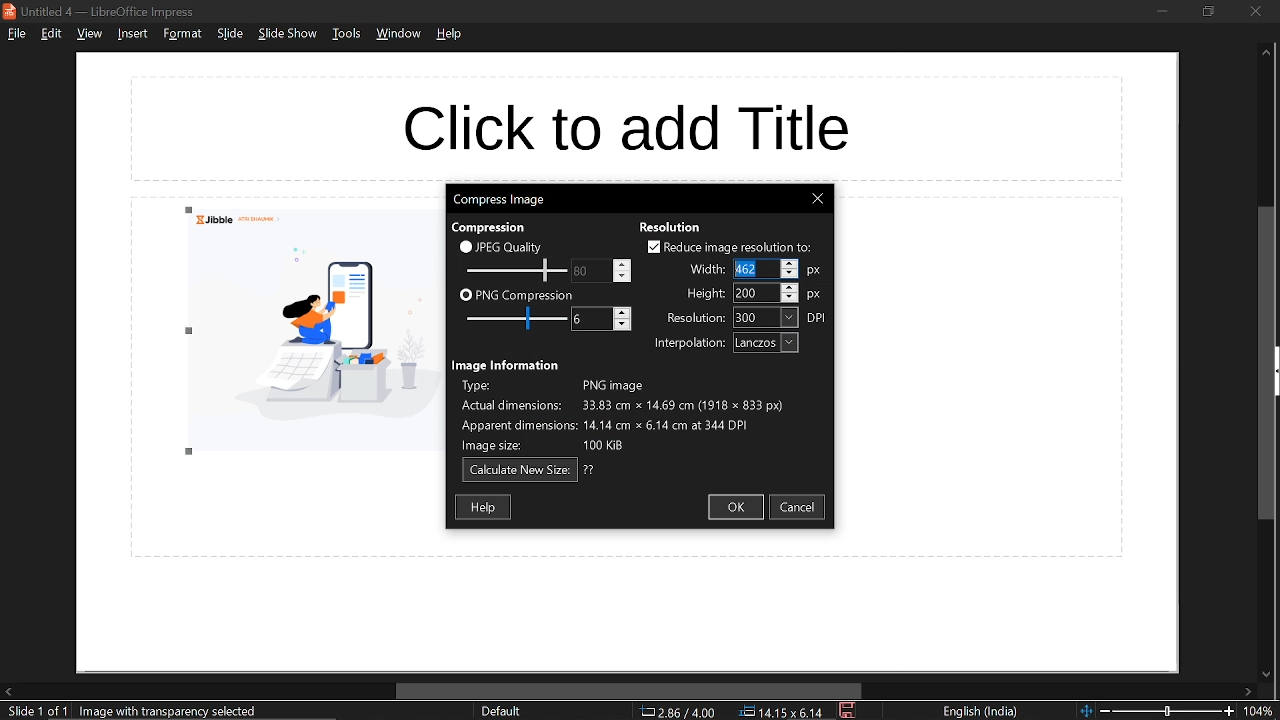 The image size is (1280, 720). I want to click on help, so click(451, 34).